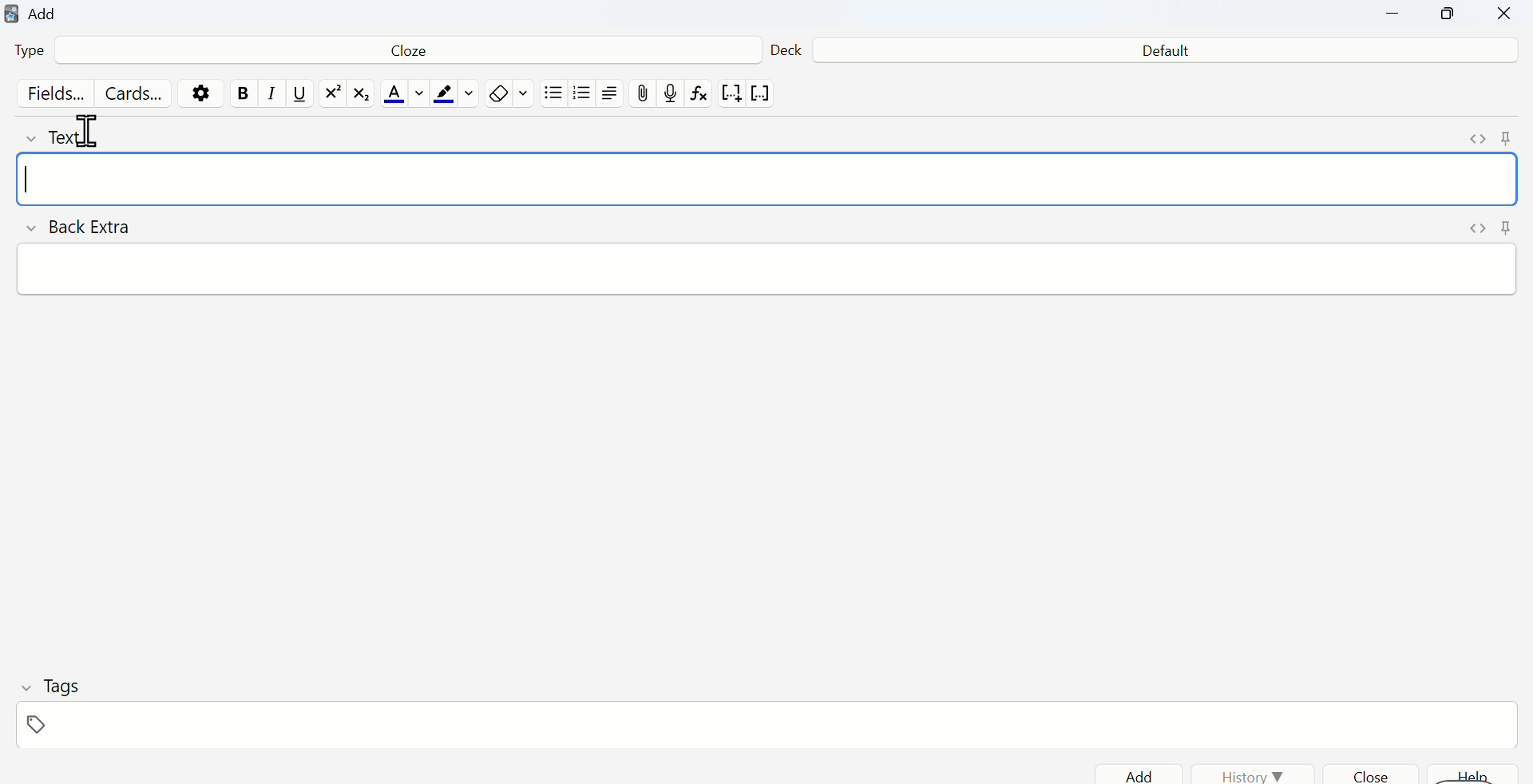 This screenshot has height=784, width=1533. I want to click on Expand, so click(1474, 138).